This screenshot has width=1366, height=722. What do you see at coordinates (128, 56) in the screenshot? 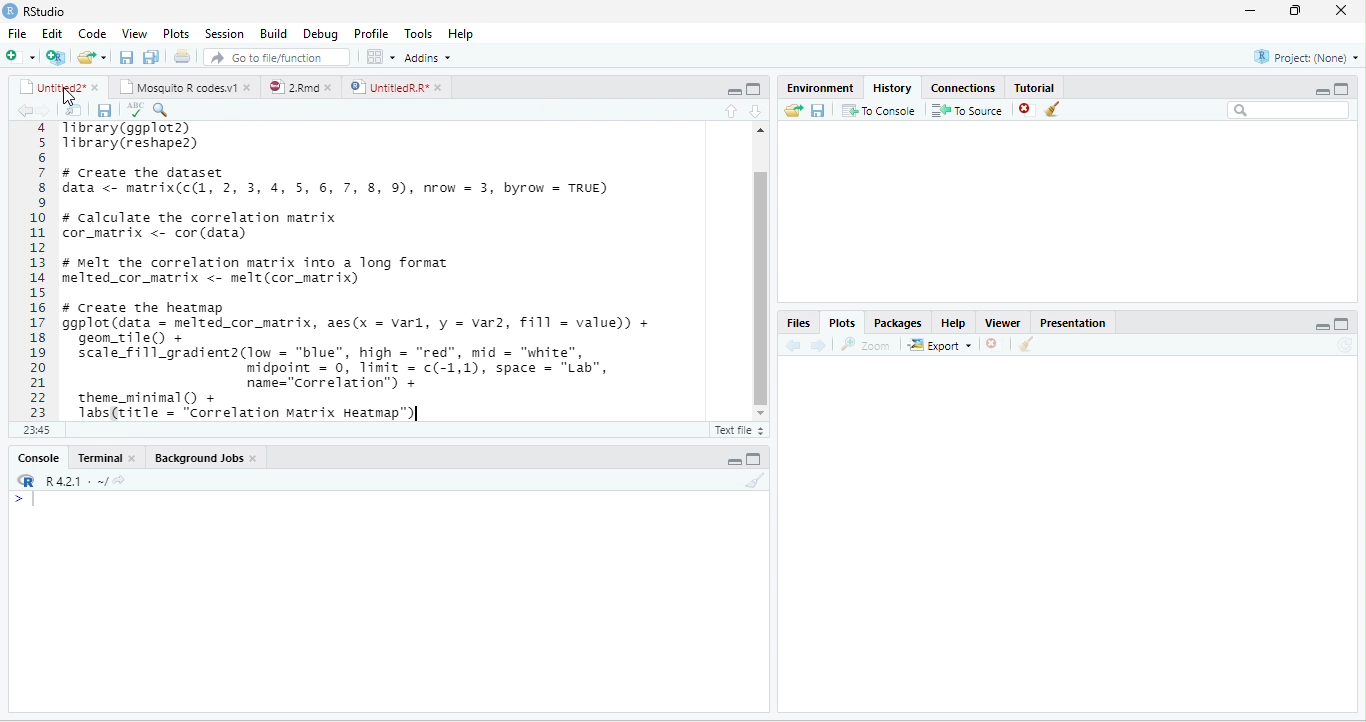
I see `previous file saction` at bounding box center [128, 56].